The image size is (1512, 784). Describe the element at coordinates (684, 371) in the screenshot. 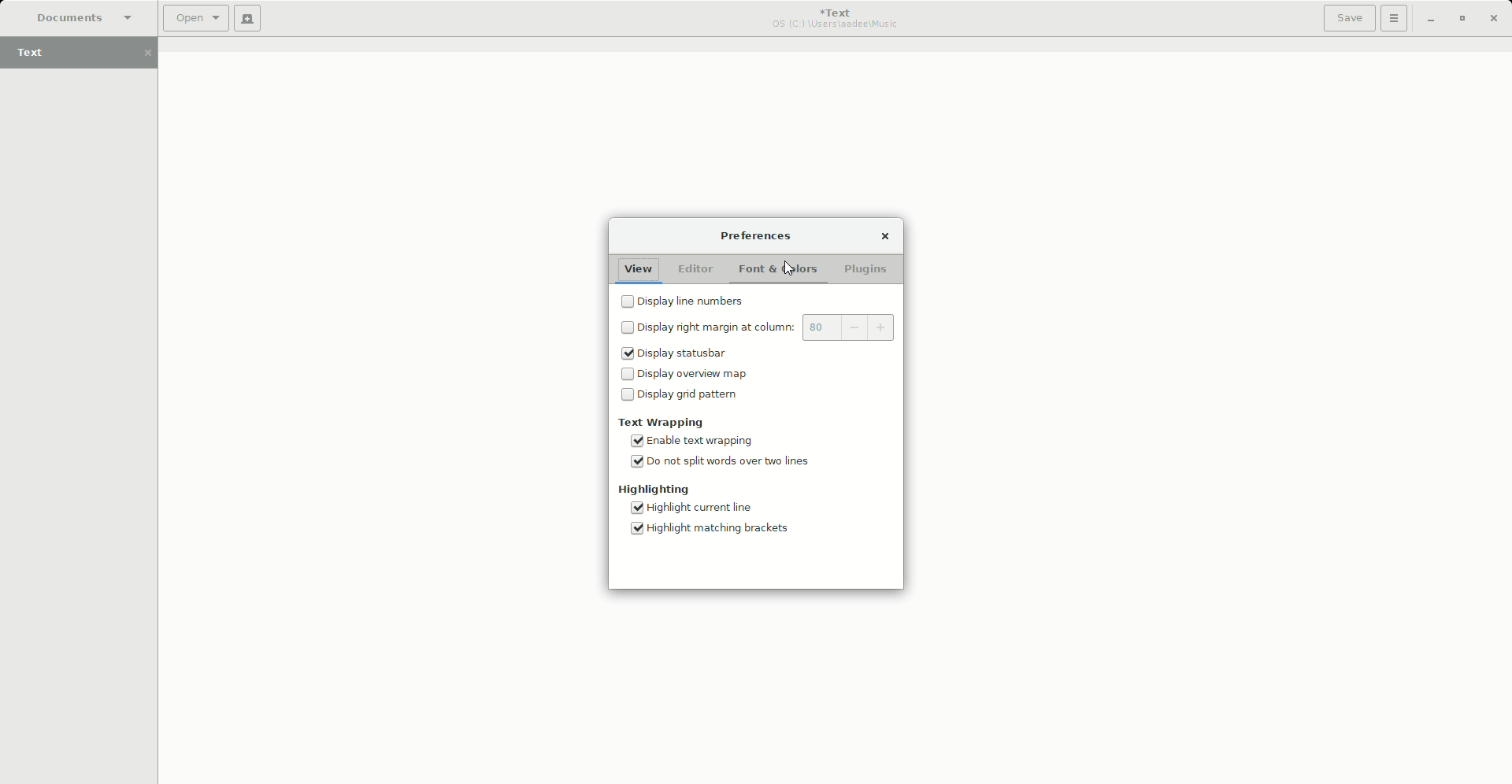

I see `Display overview map` at that location.